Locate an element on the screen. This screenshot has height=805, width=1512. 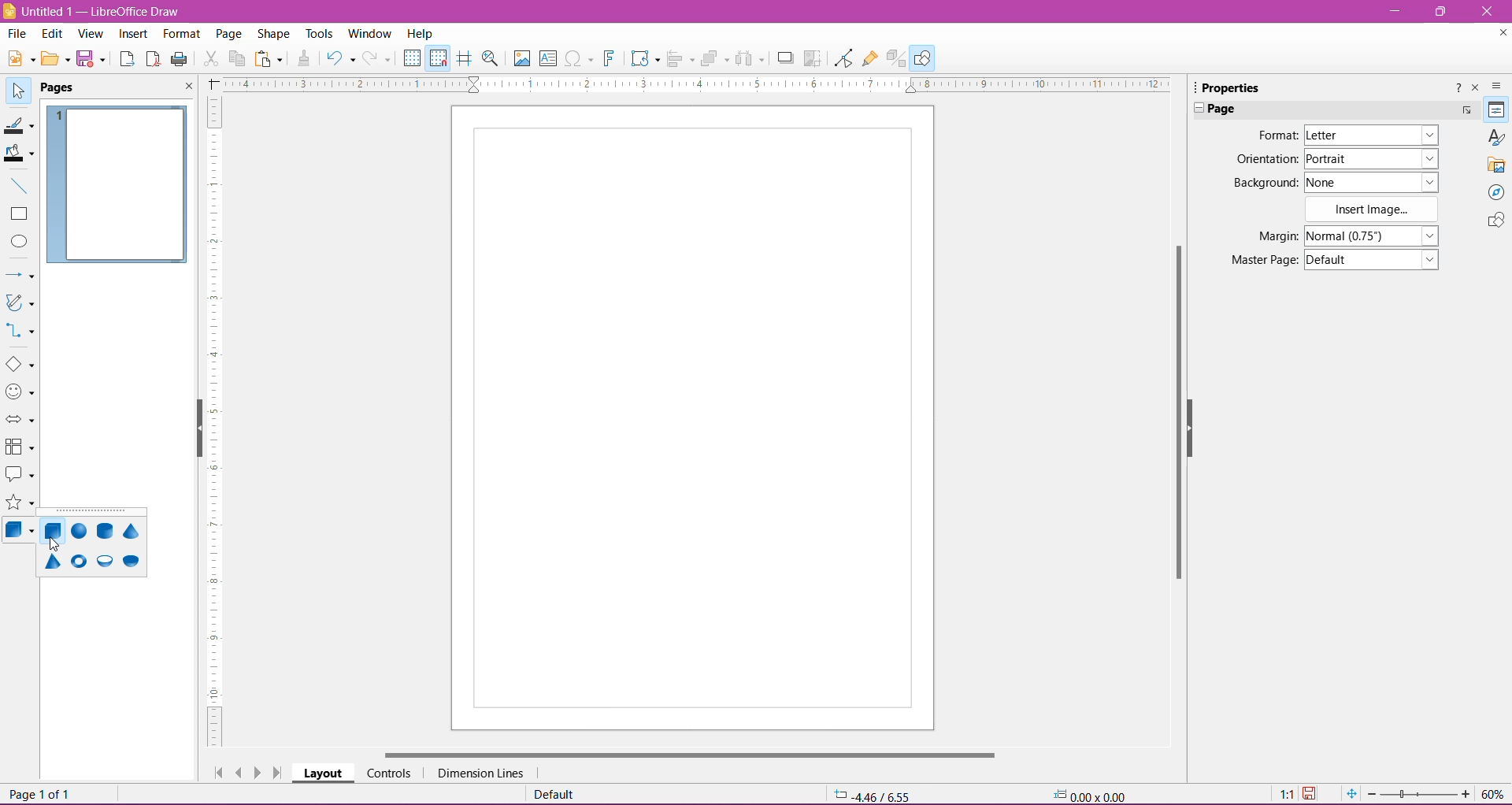
Cube is located at coordinates (53, 533).